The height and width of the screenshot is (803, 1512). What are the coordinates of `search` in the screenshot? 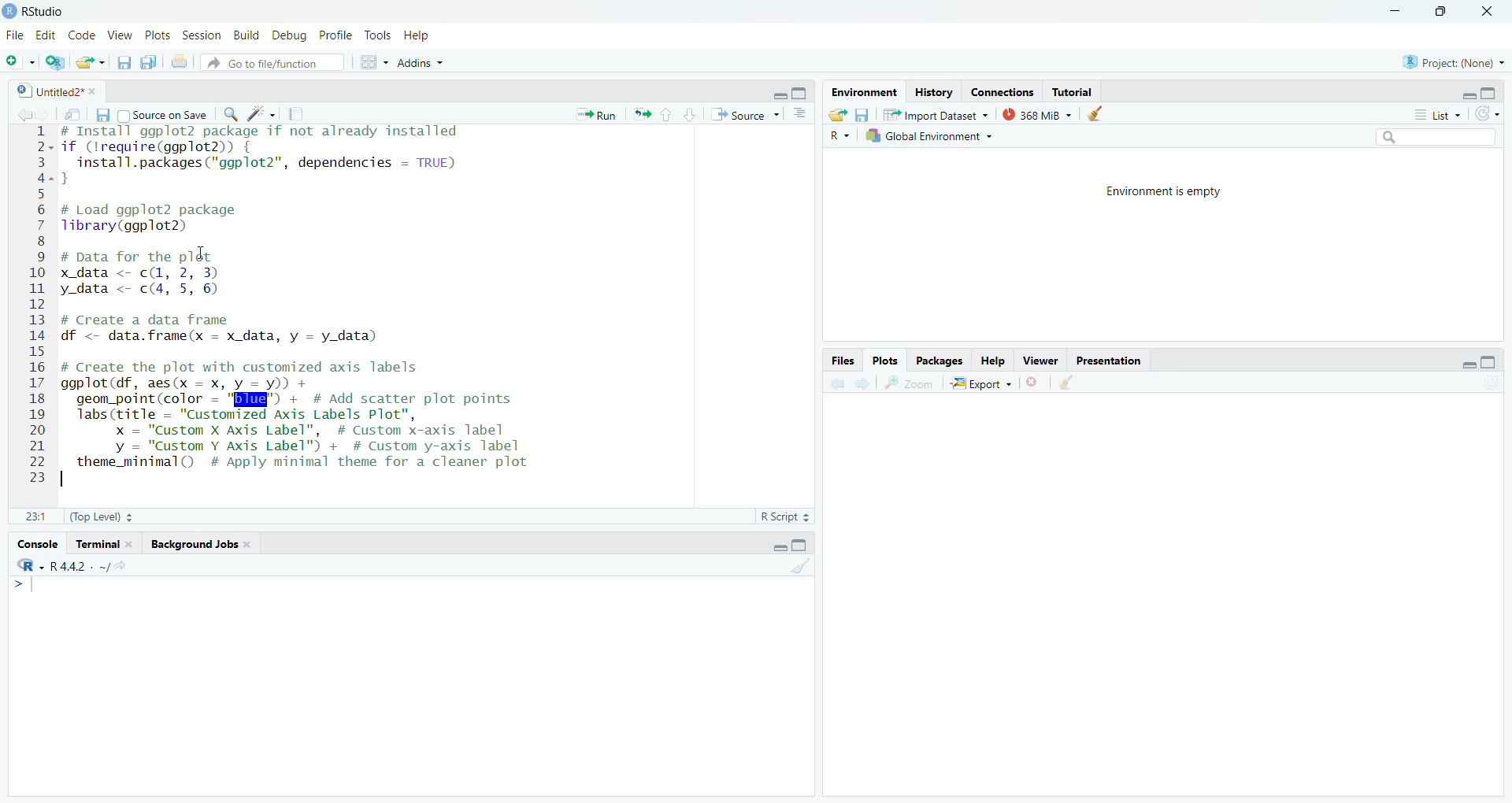 It's located at (234, 117).